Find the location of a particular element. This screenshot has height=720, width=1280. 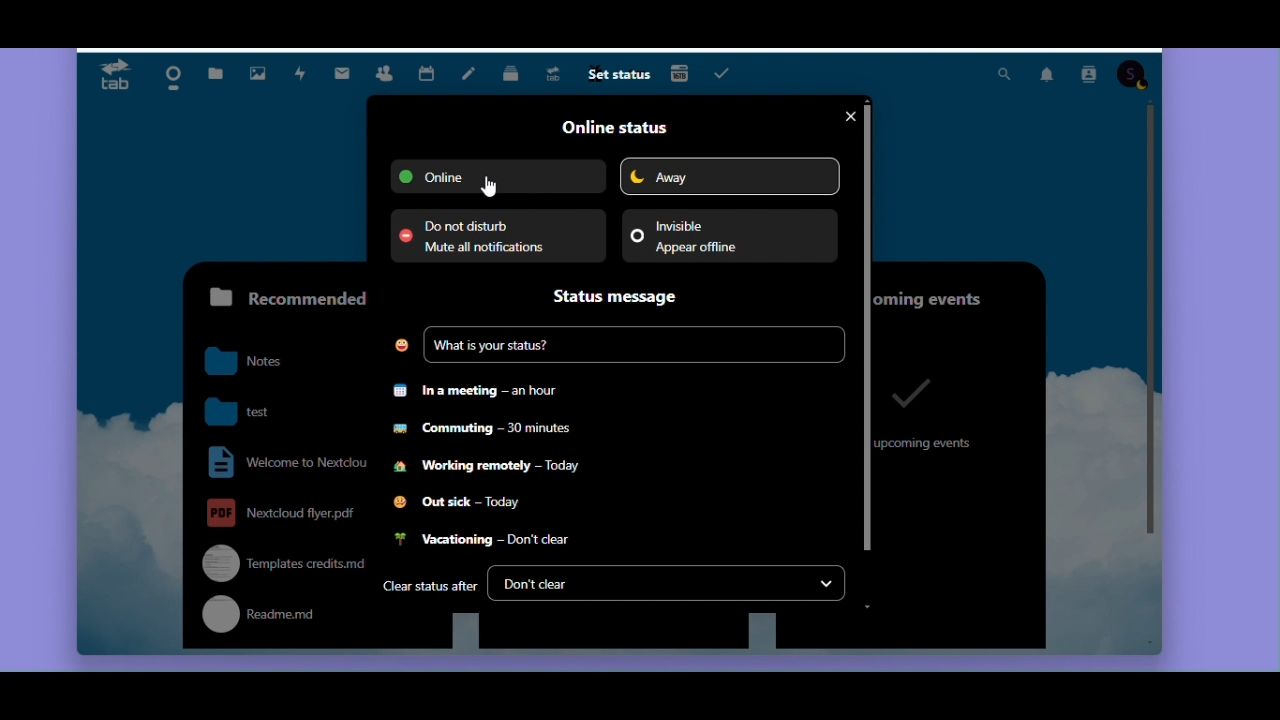

Search is located at coordinates (1003, 75).